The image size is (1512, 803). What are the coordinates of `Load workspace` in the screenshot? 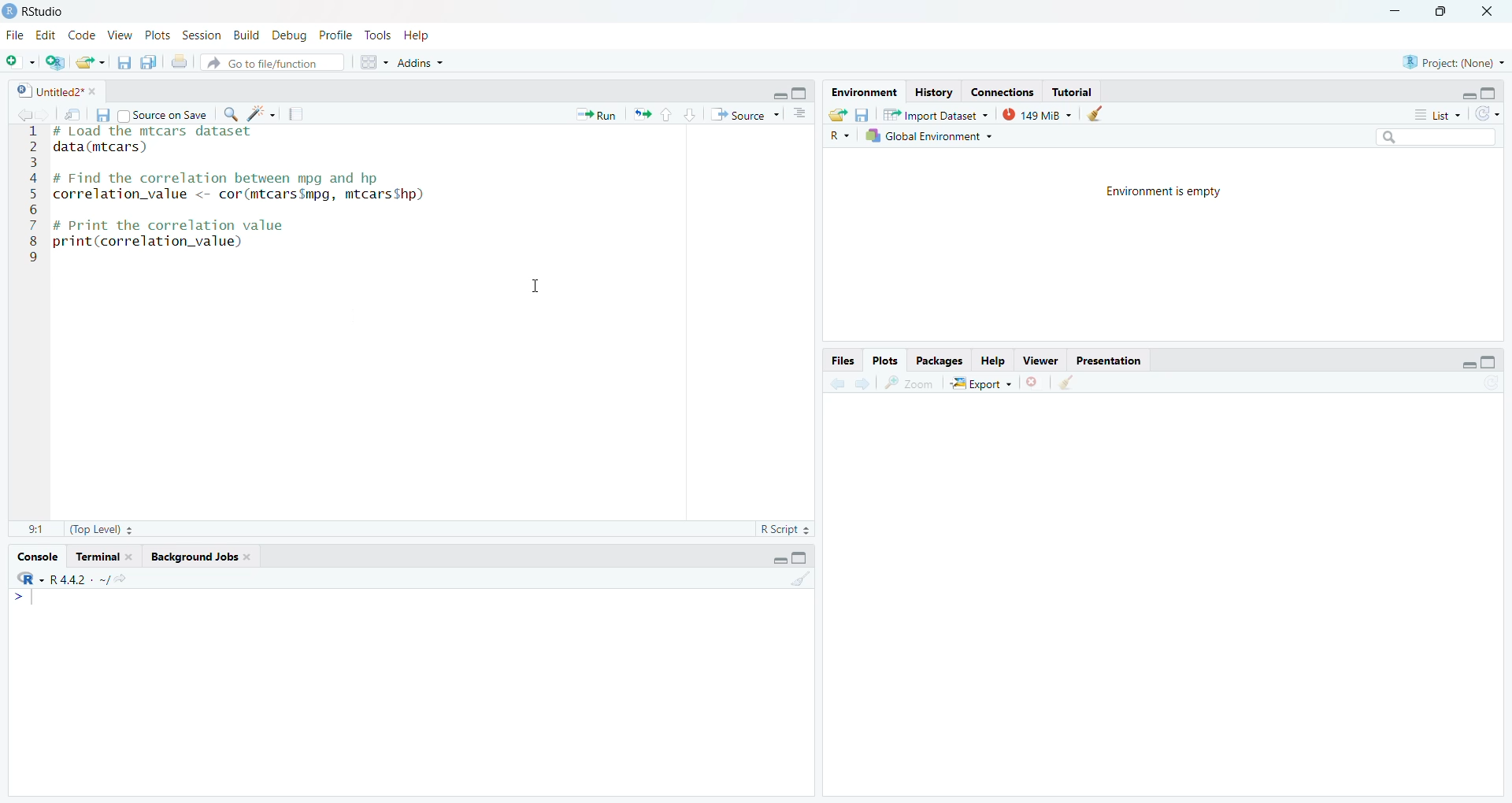 It's located at (836, 116).